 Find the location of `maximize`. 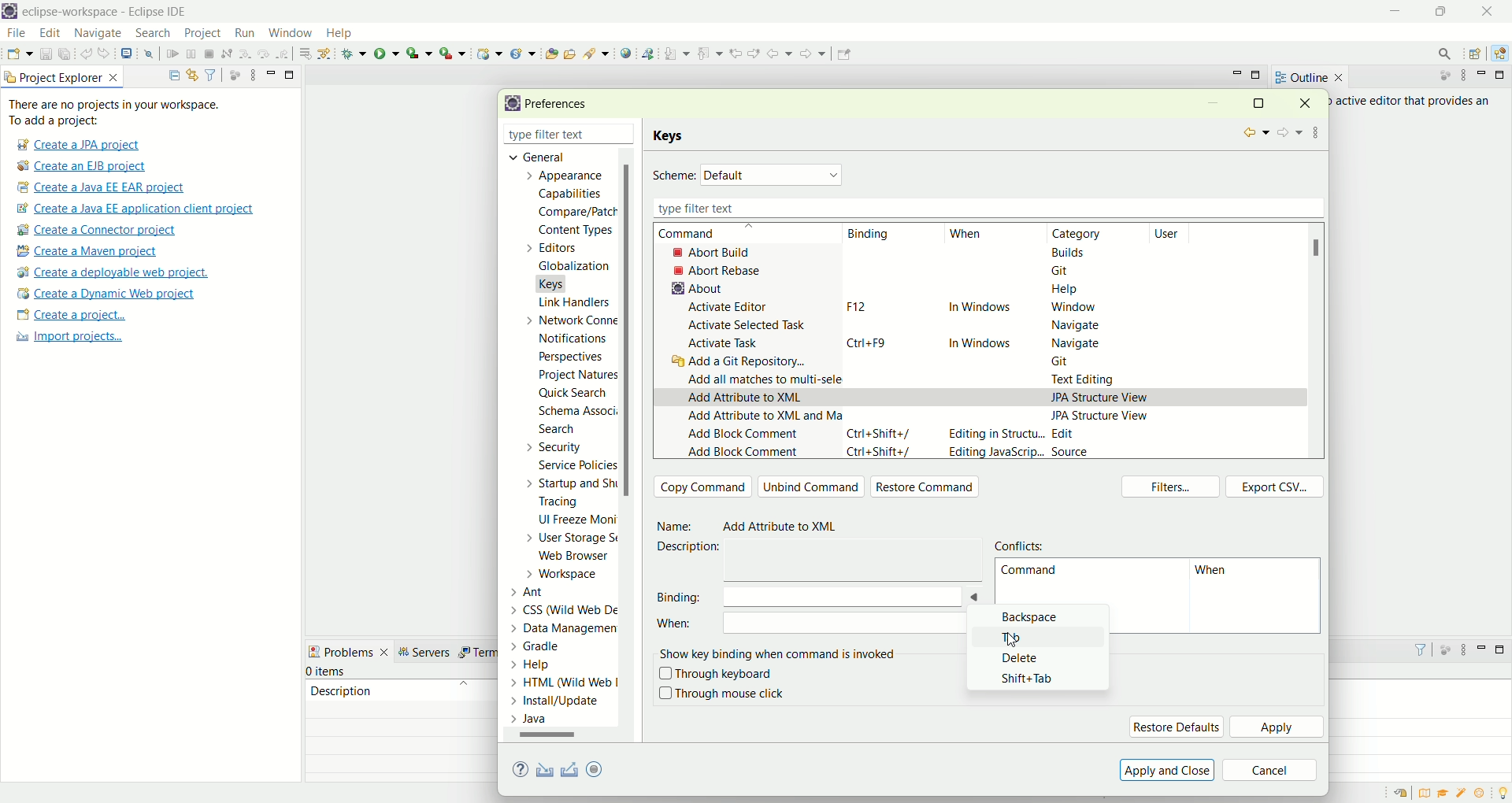

maximize is located at coordinates (1503, 649).